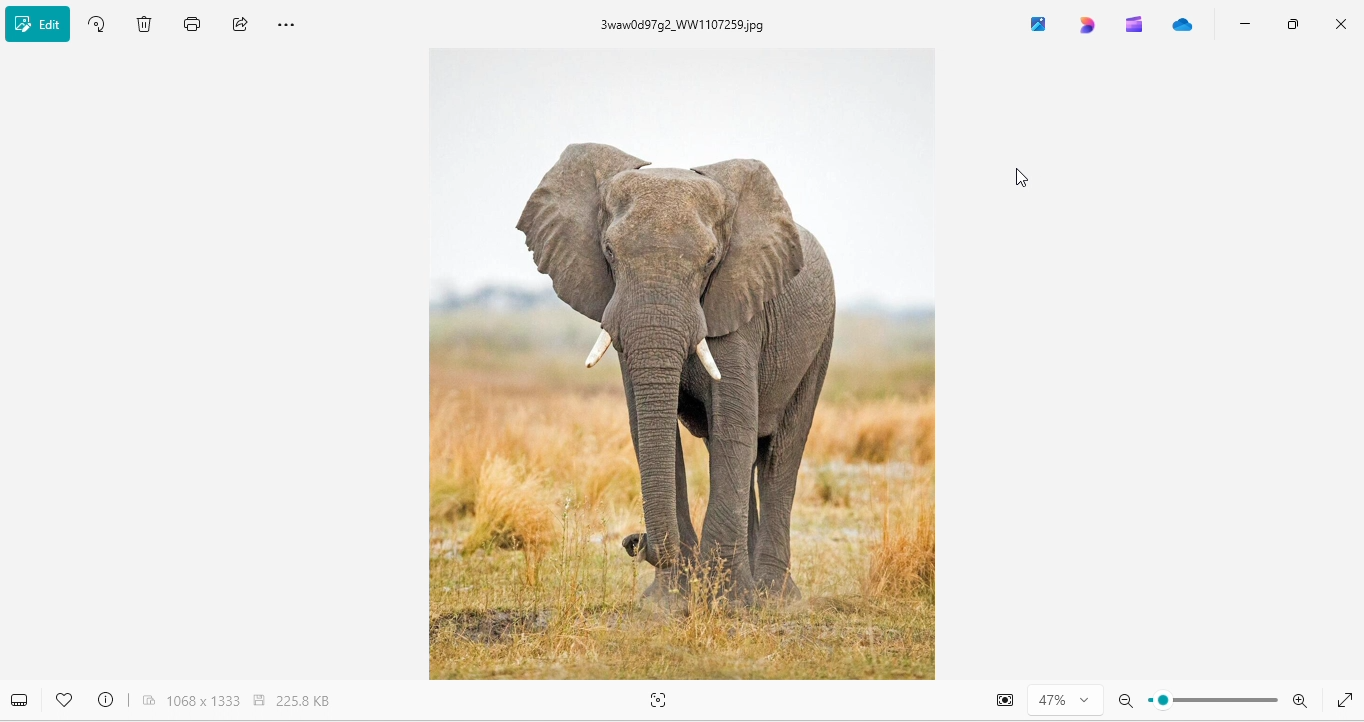 The image size is (1364, 722). What do you see at coordinates (1093, 25) in the screenshot?
I see `edit with designer` at bounding box center [1093, 25].